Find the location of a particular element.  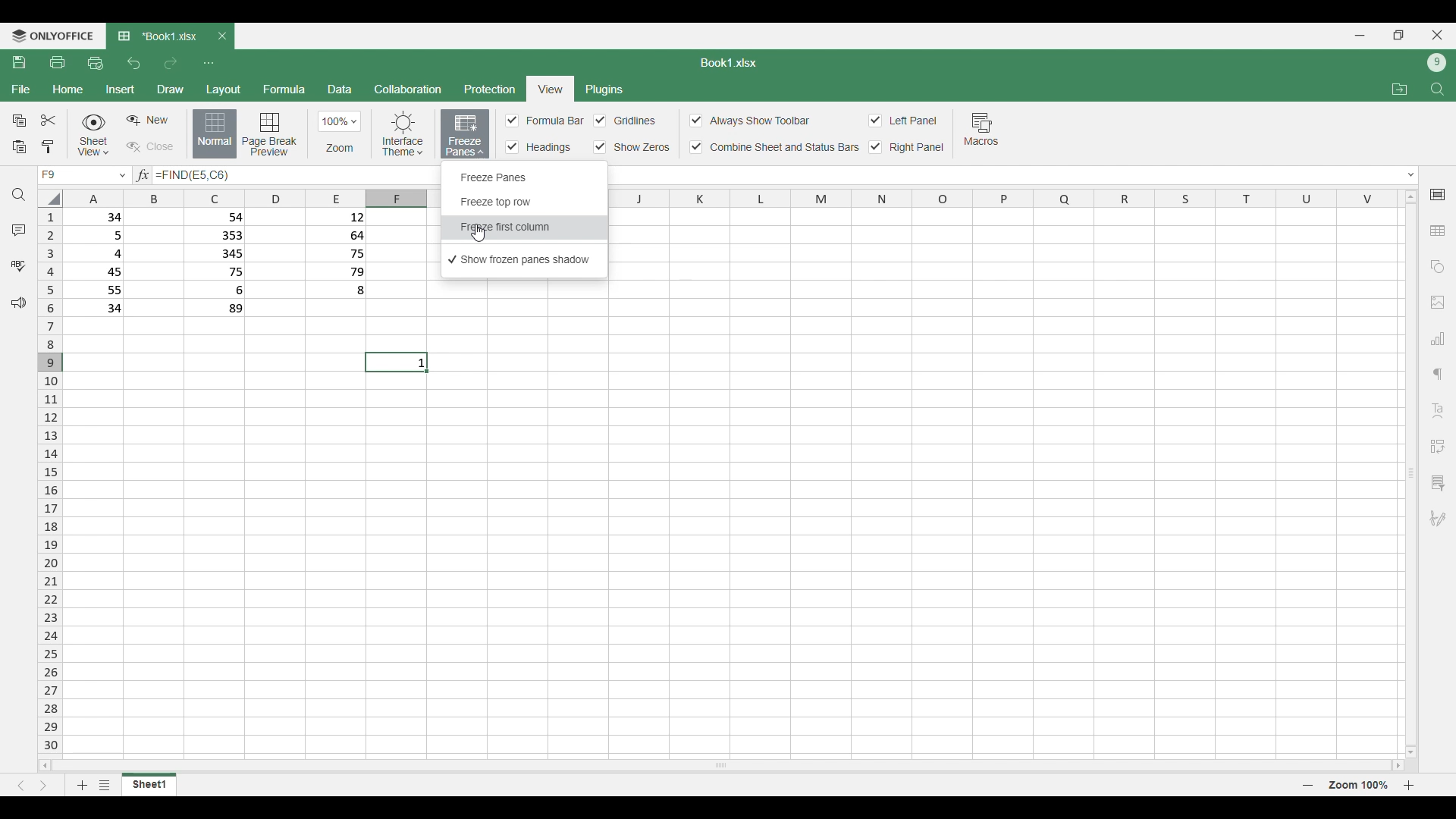

Indicates columns is located at coordinates (256, 199).